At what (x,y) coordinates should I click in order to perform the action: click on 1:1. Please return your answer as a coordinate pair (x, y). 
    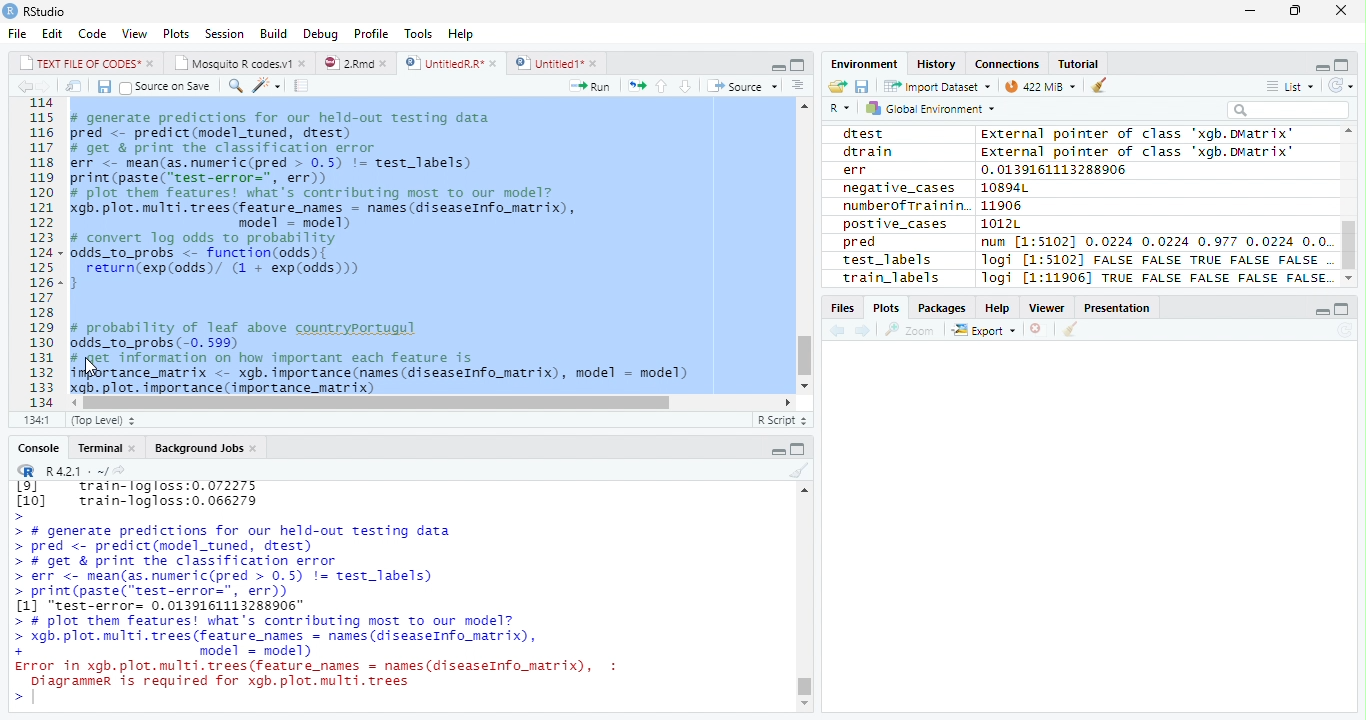
    Looking at the image, I should click on (38, 419).